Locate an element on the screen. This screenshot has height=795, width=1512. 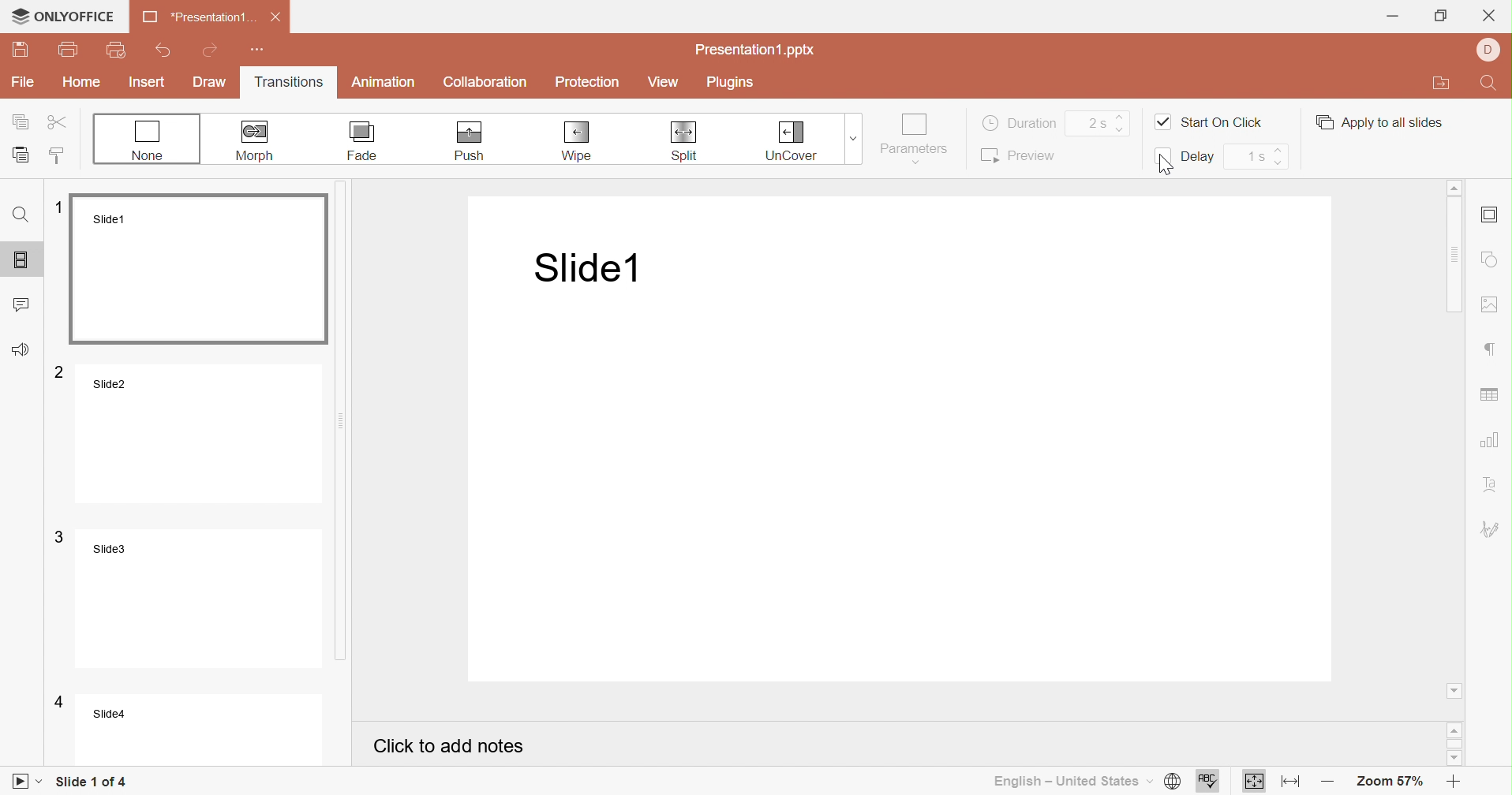
None is located at coordinates (146, 139).